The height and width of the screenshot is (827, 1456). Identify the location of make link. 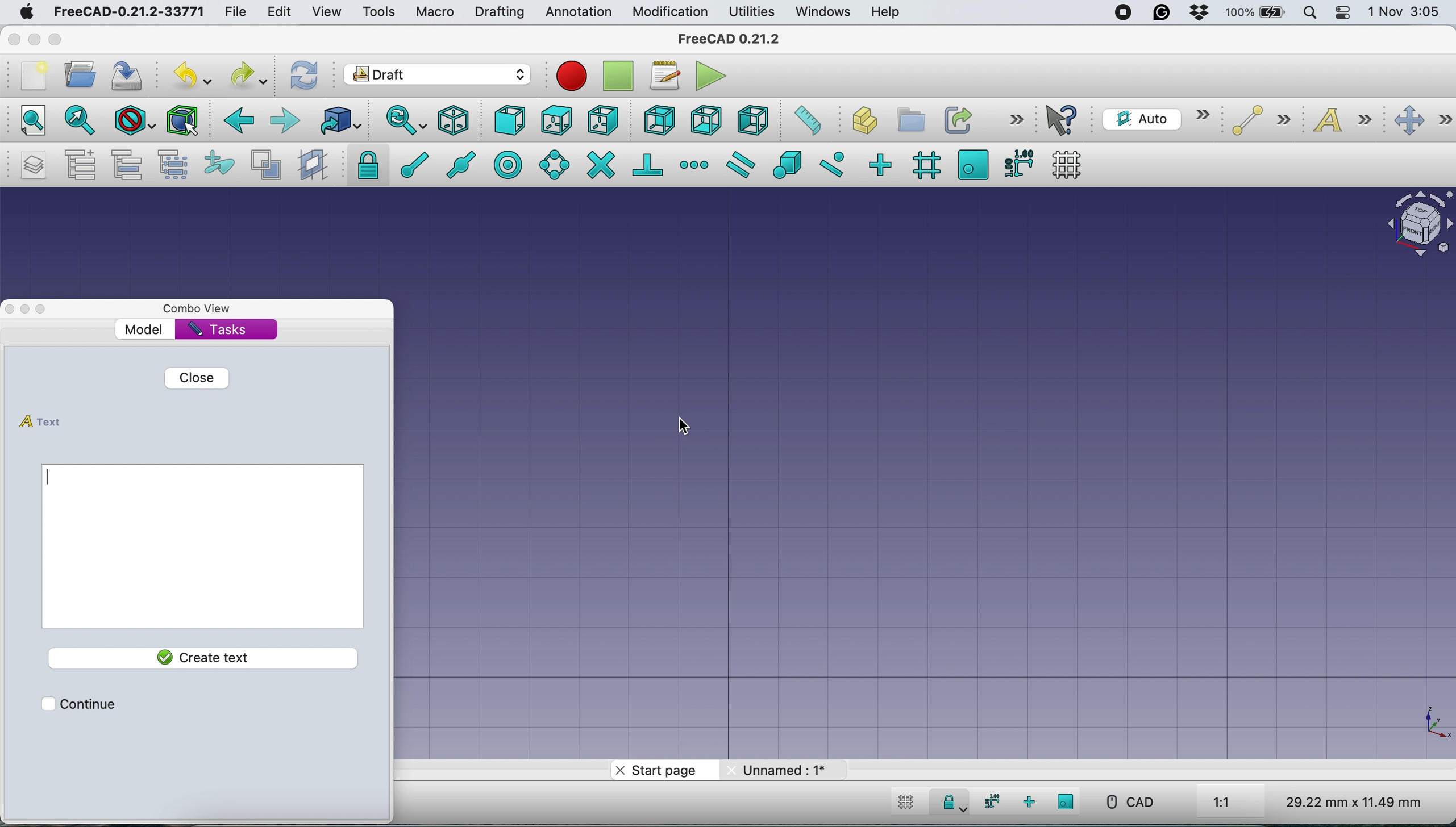
(954, 119).